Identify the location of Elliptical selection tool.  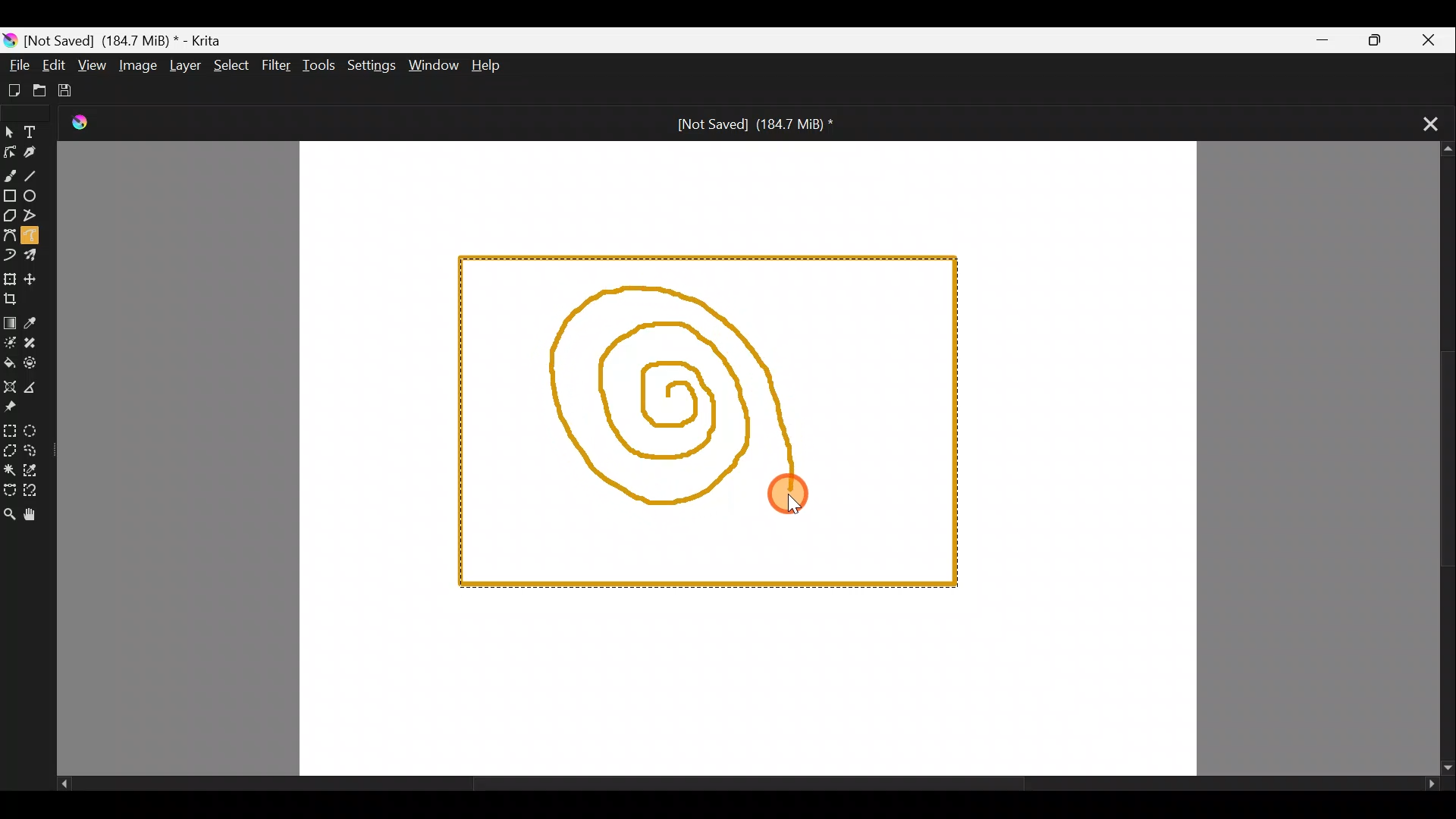
(37, 430).